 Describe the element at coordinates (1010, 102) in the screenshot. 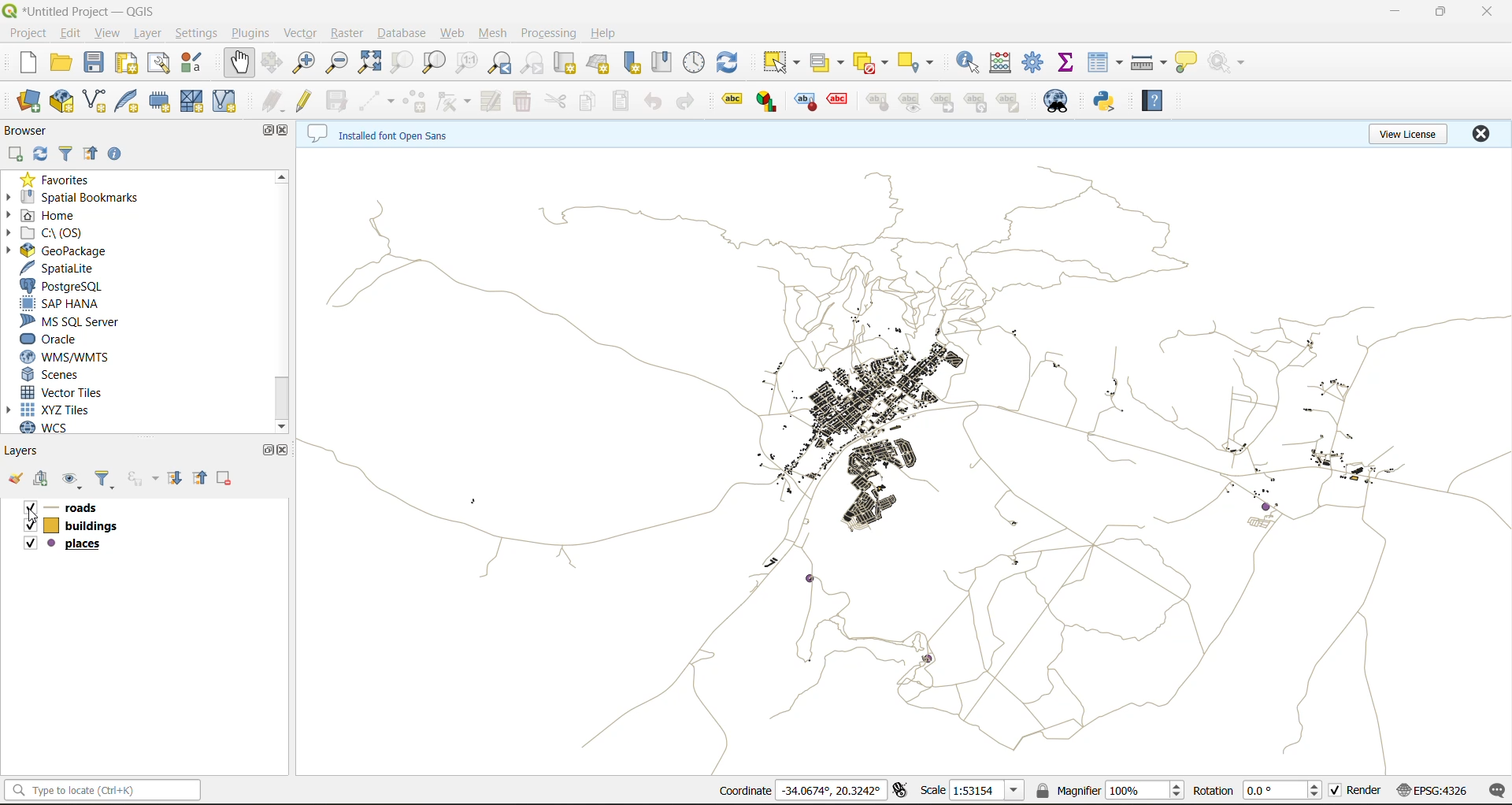

I see `labels toolbar 9` at that location.